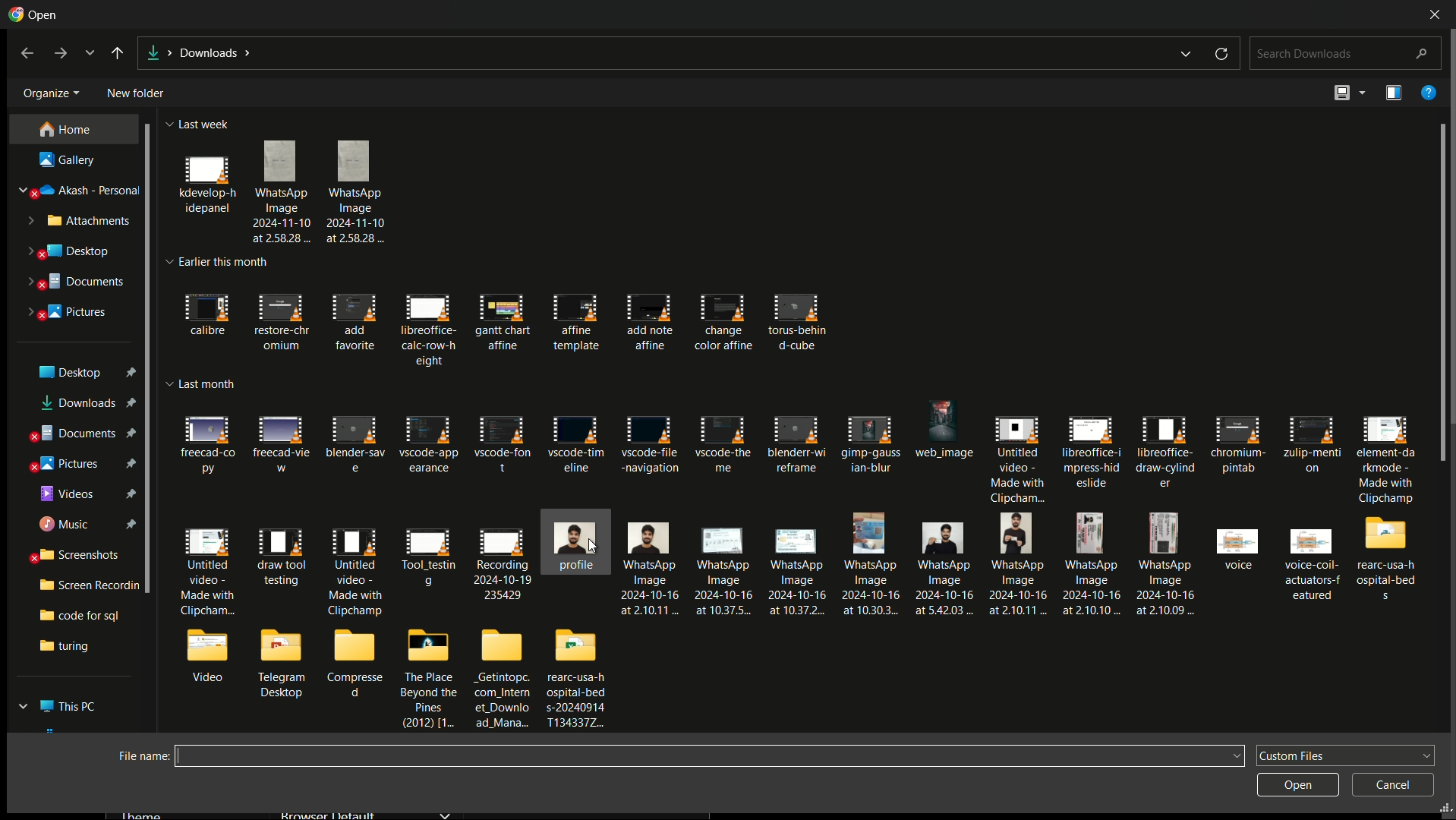 Image resolution: width=1456 pixels, height=820 pixels. What do you see at coordinates (28, 52) in the screenshot?
I see `back` at bounding box center [28, 52].